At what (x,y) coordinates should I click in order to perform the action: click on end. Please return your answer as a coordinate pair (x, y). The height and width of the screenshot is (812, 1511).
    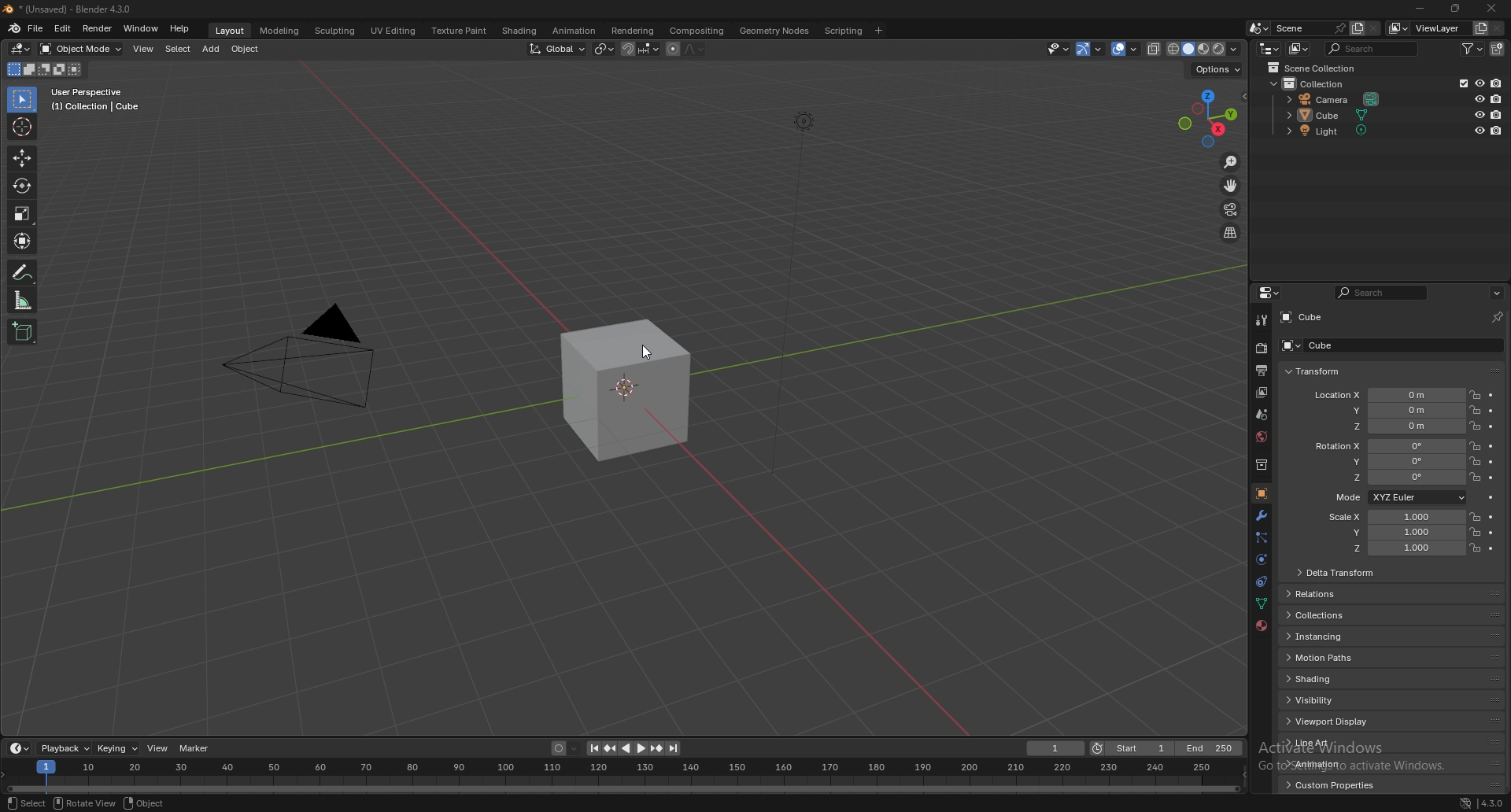
    Looking at the image, I should click on (1211, 748).